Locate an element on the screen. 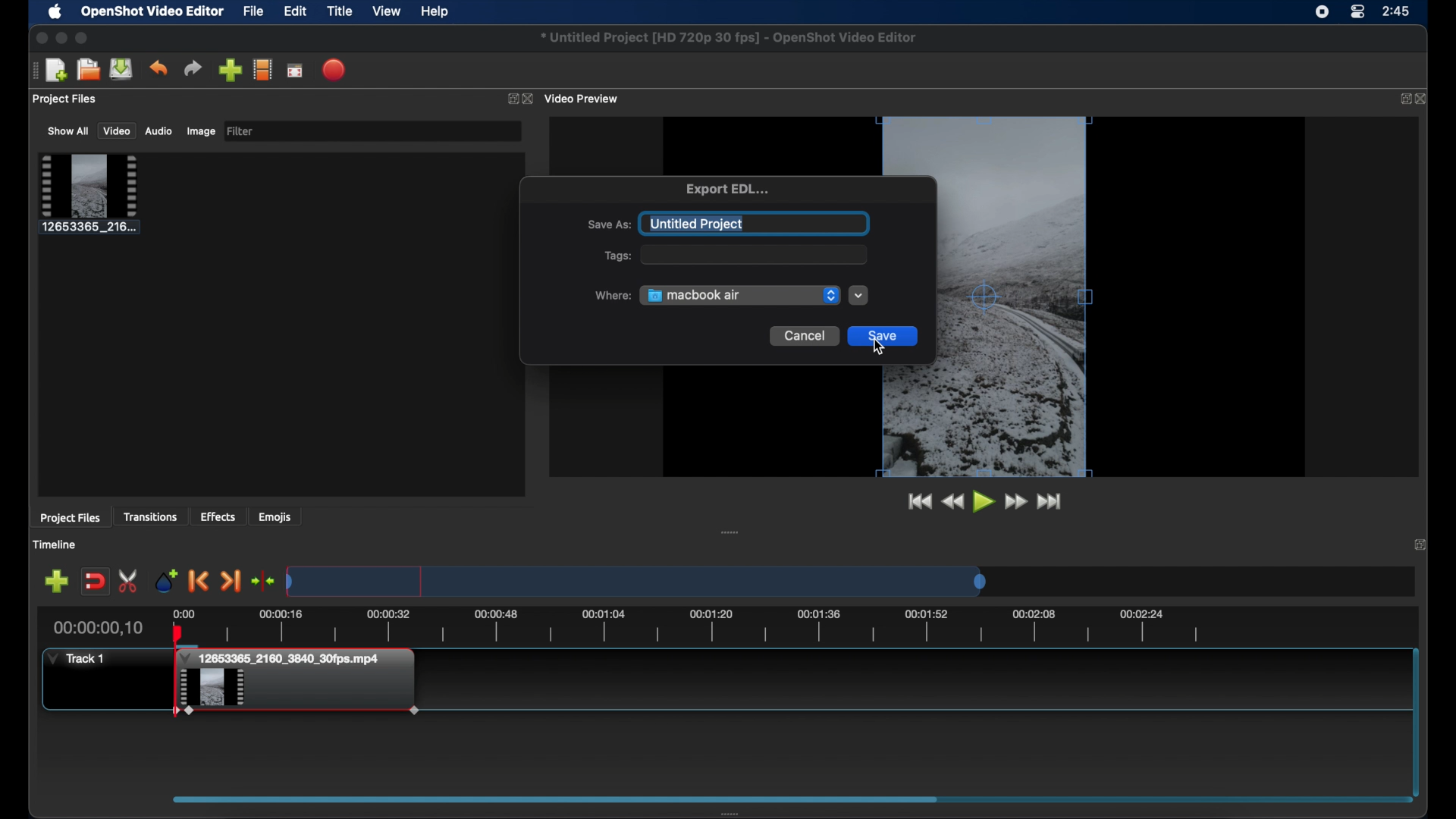  jump to start is located at coordinates (918, 502).